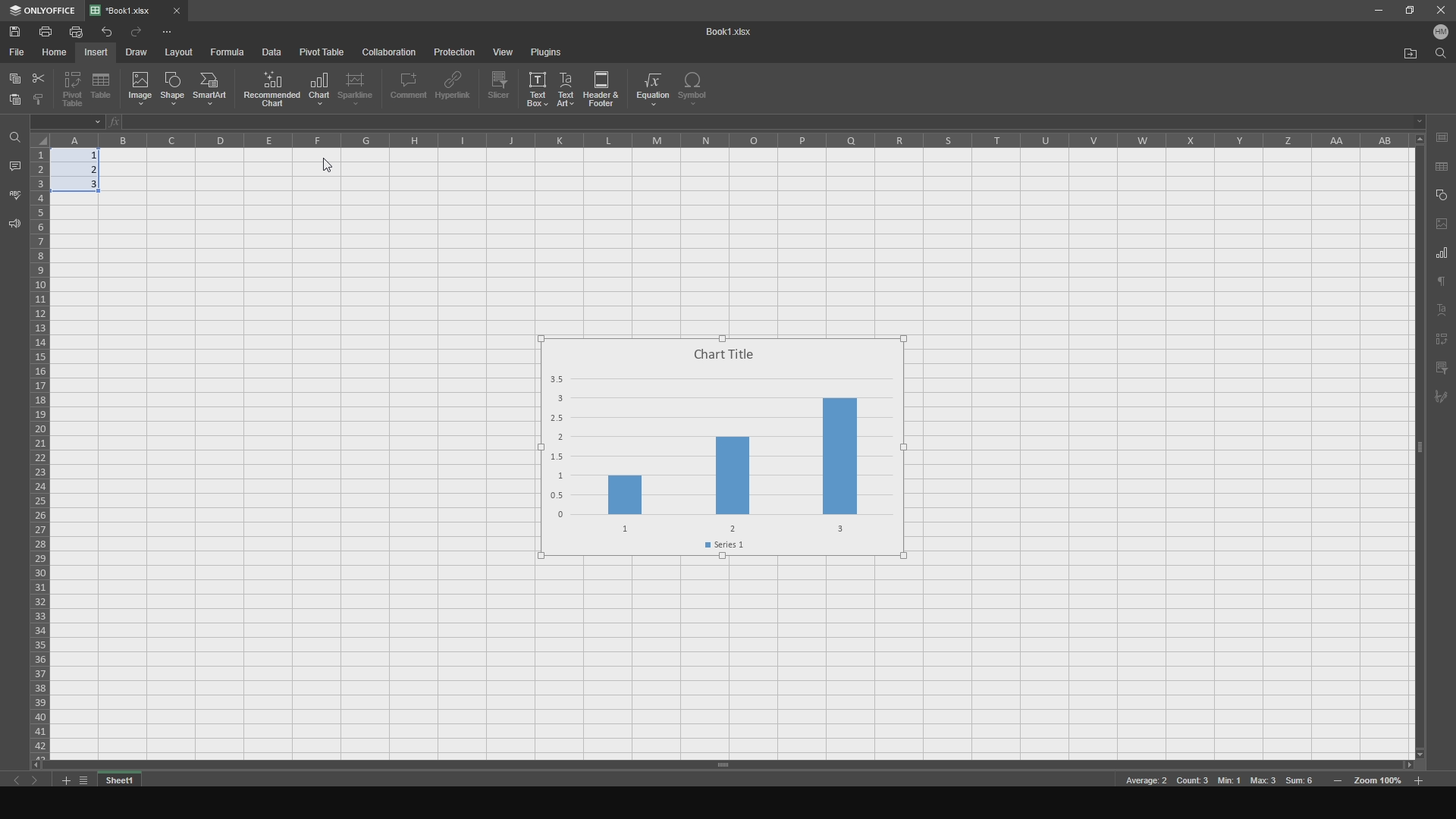  What do you see at coordinates (1441, 35) in the screenshot?
I see `user` at bounding box center [1441, 35].